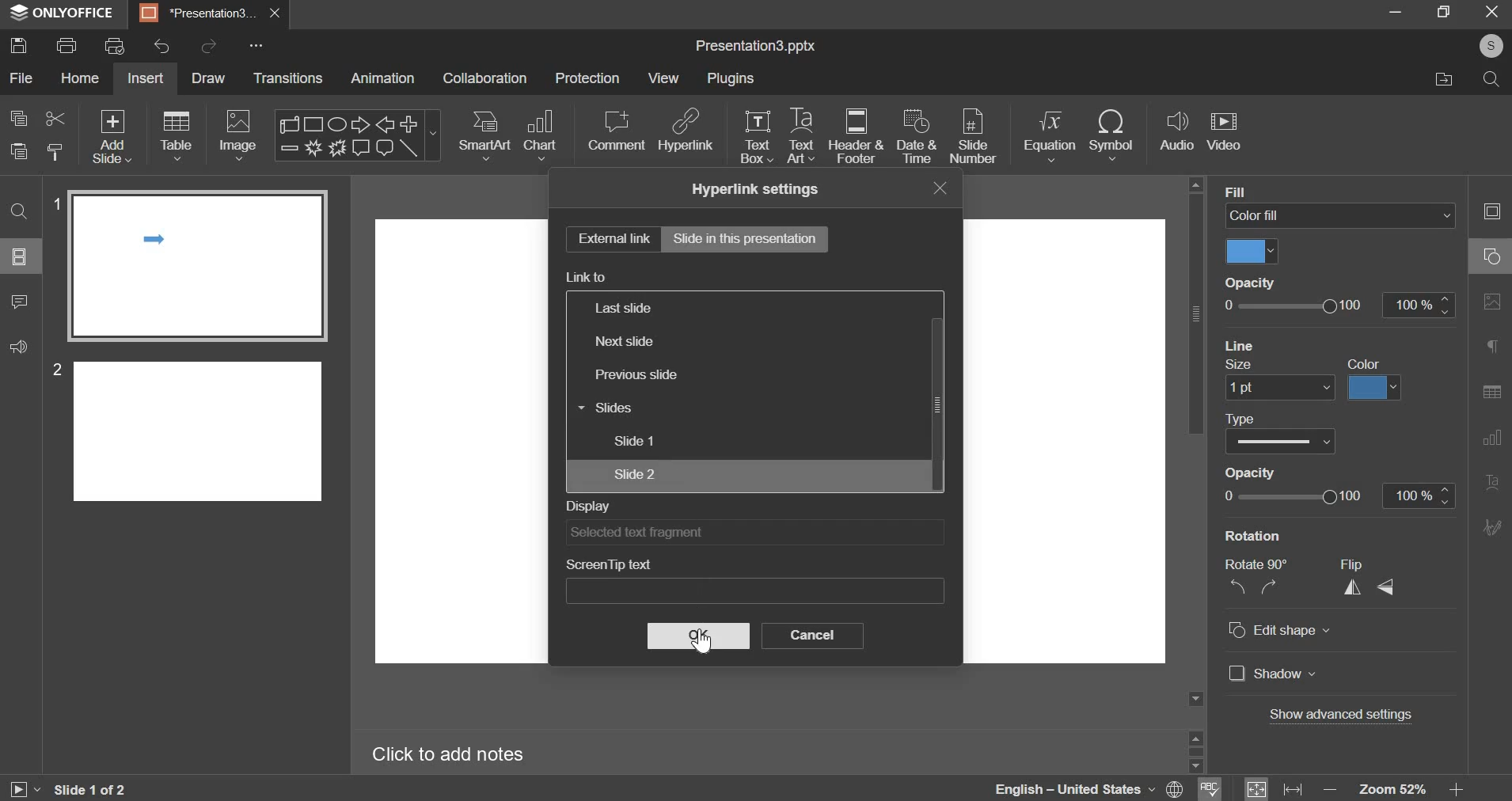 The image size is (1512, 801). What do you see at coordinates (1273, 673) in the screenshot?
I see `shadow` at bounding box center [1273, 673].